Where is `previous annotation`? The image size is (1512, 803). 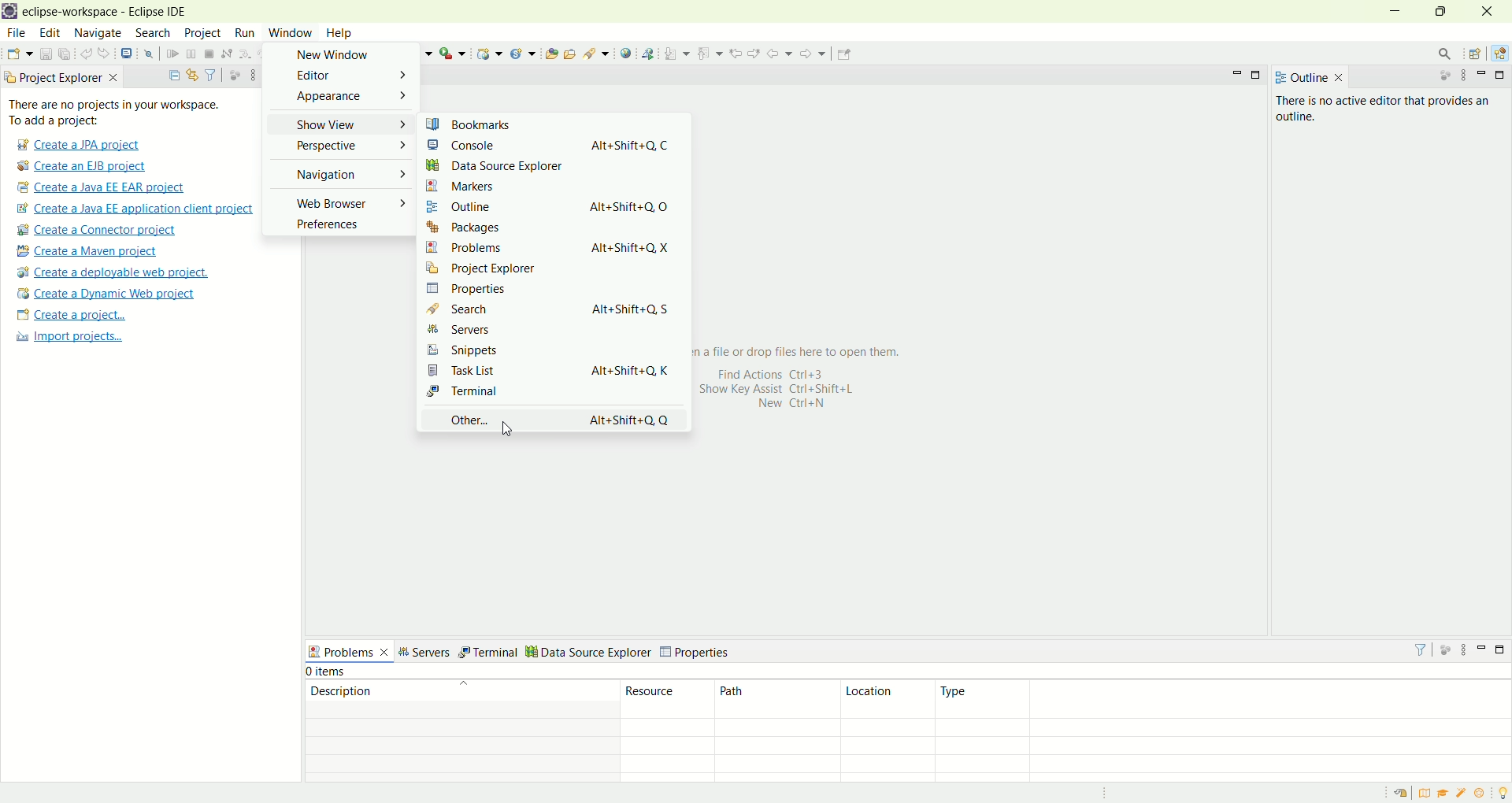 previous annotation is located at coordinates (708, 52).